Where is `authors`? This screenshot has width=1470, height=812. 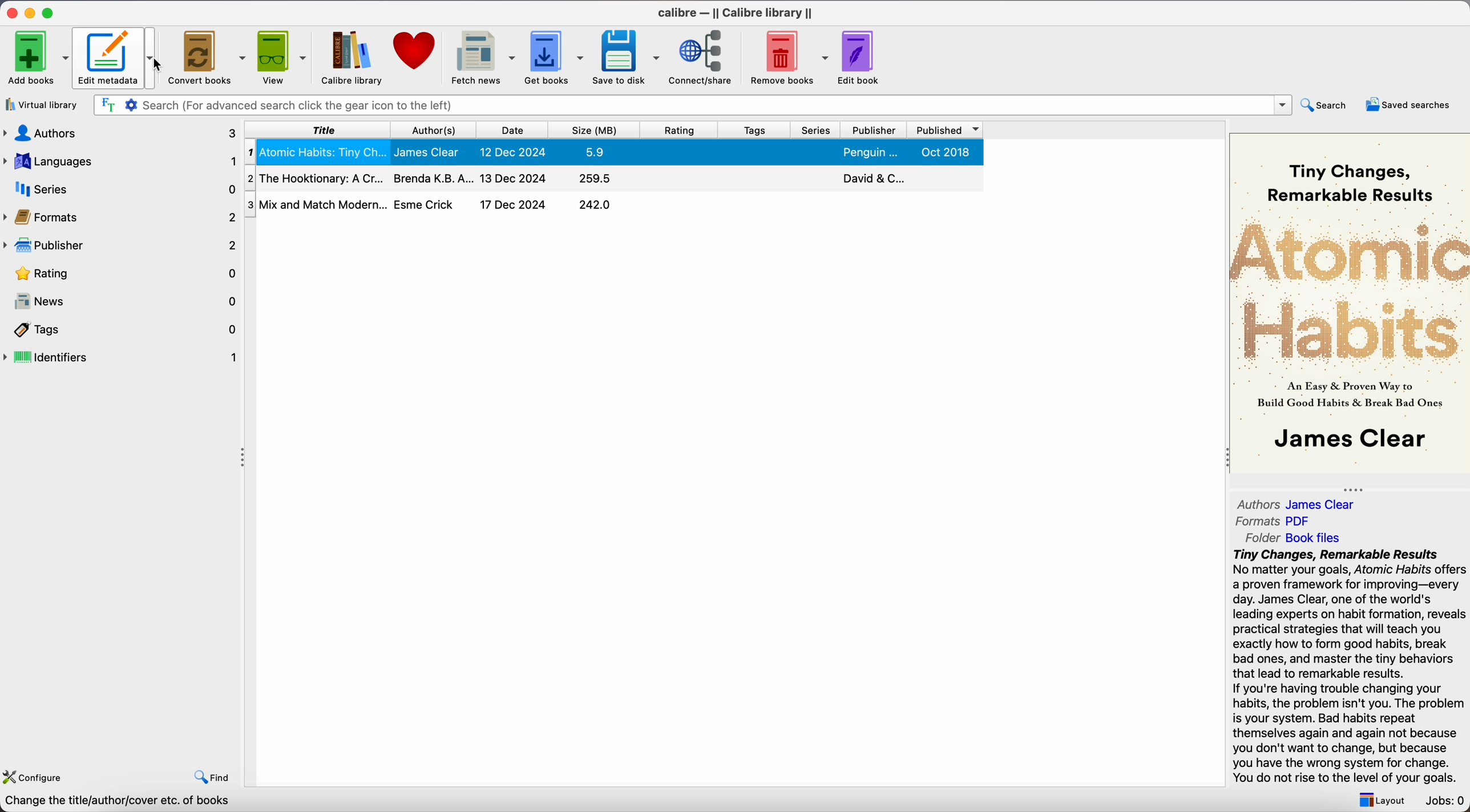
authors is located at coordinates (437, 130).